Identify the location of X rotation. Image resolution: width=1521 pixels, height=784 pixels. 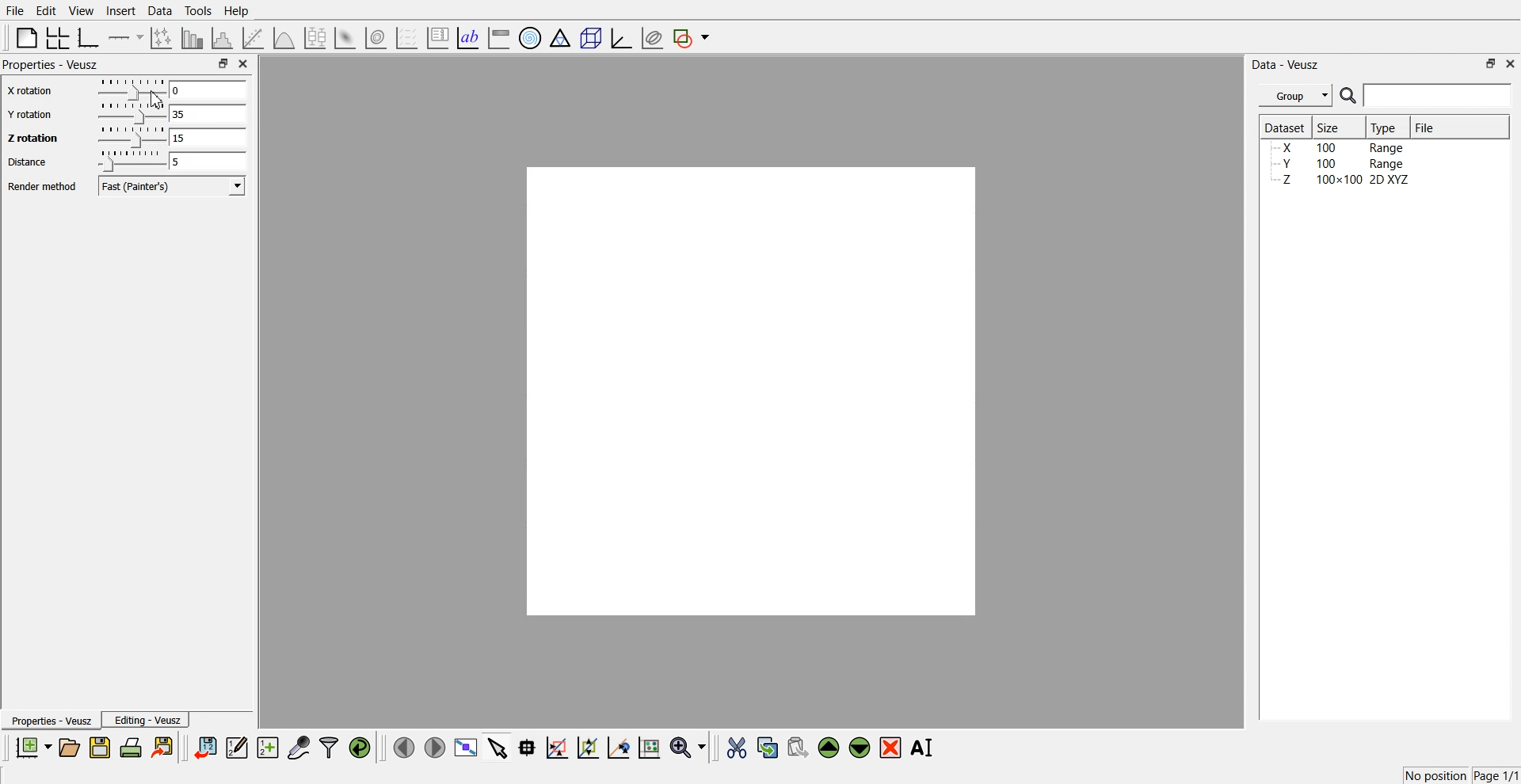
(31, 92).